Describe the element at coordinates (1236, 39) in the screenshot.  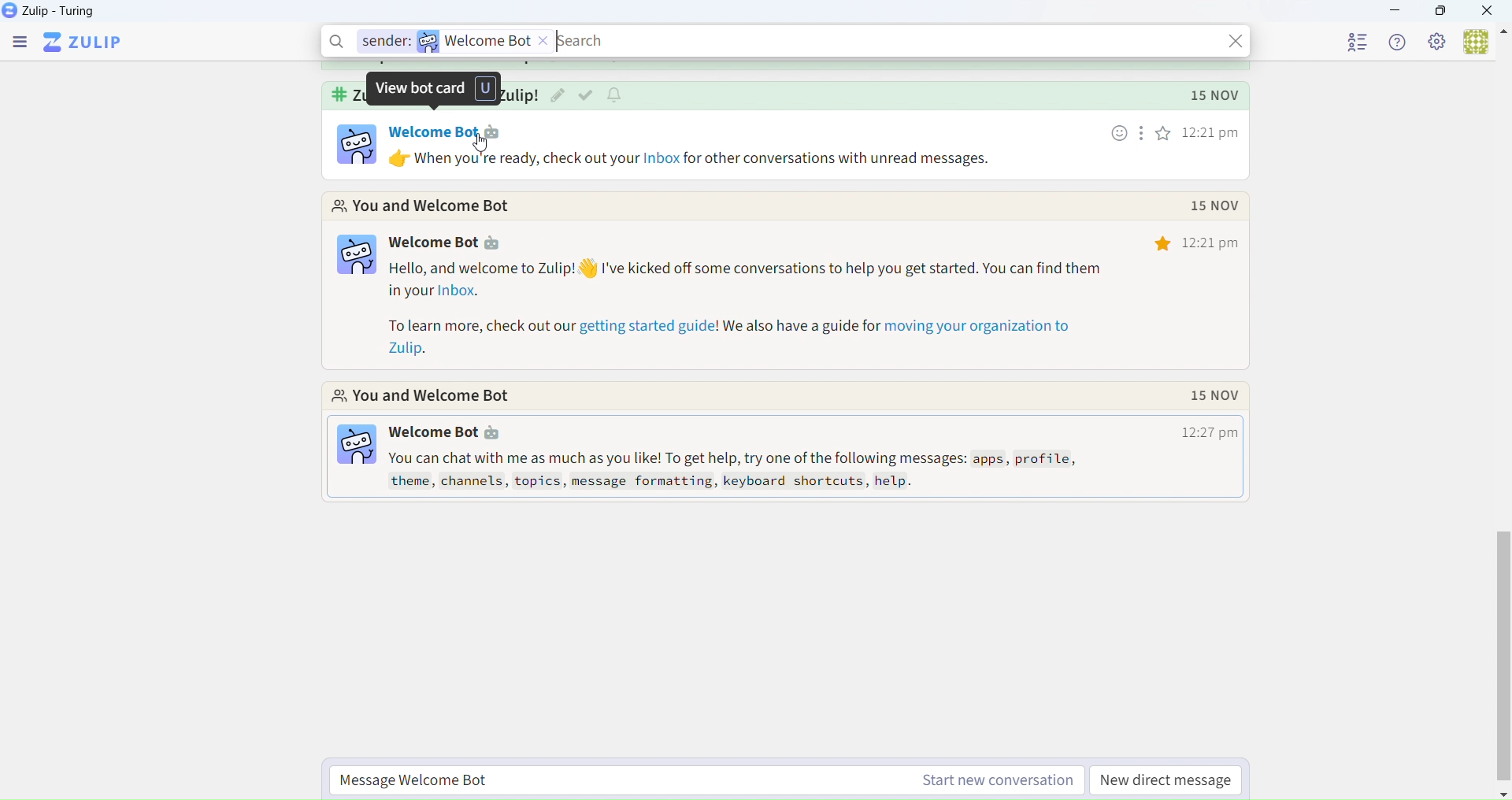
I see `close` at that location.